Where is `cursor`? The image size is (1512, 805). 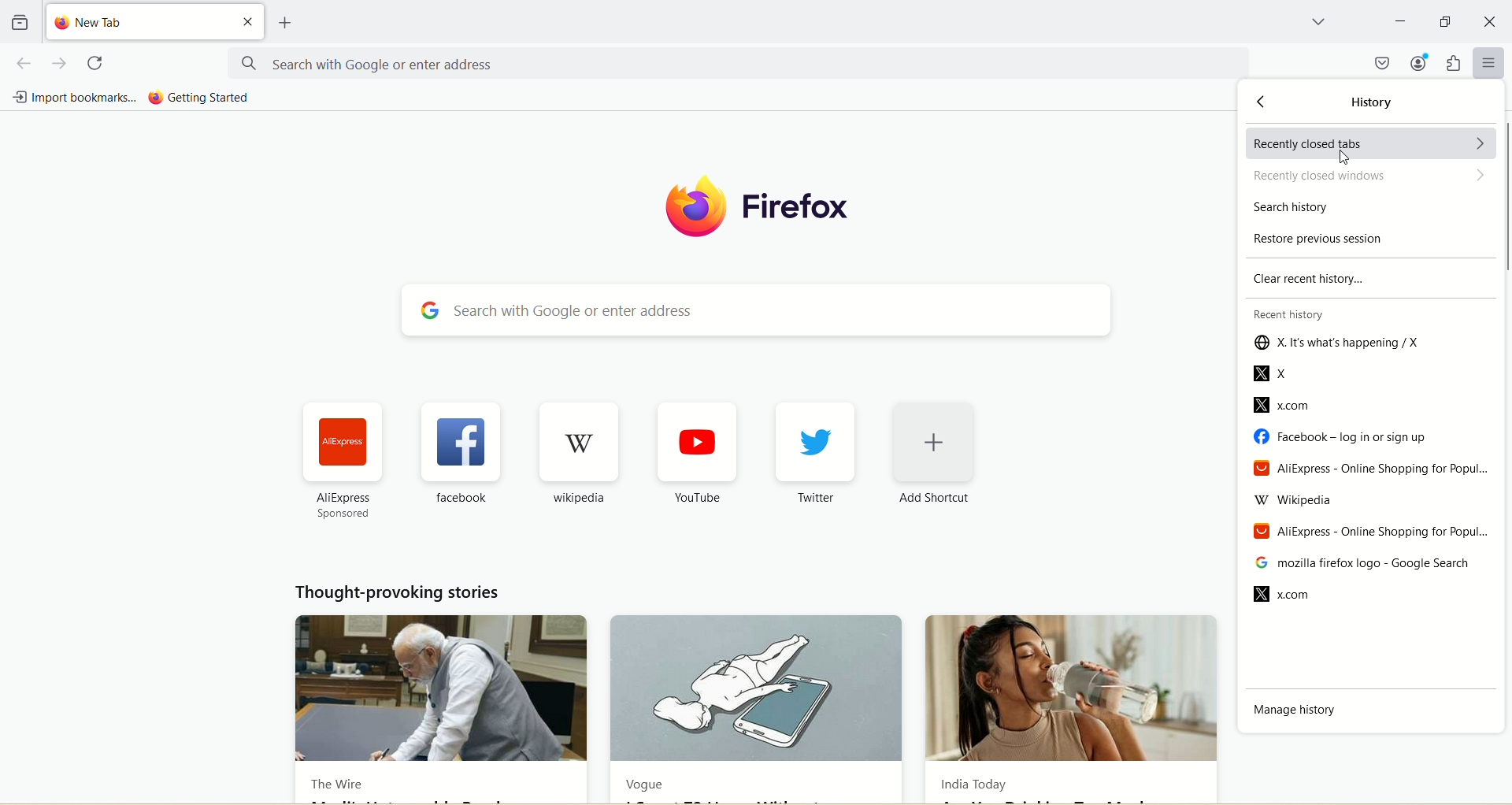 cursor is located at coordinates (1347, 158).